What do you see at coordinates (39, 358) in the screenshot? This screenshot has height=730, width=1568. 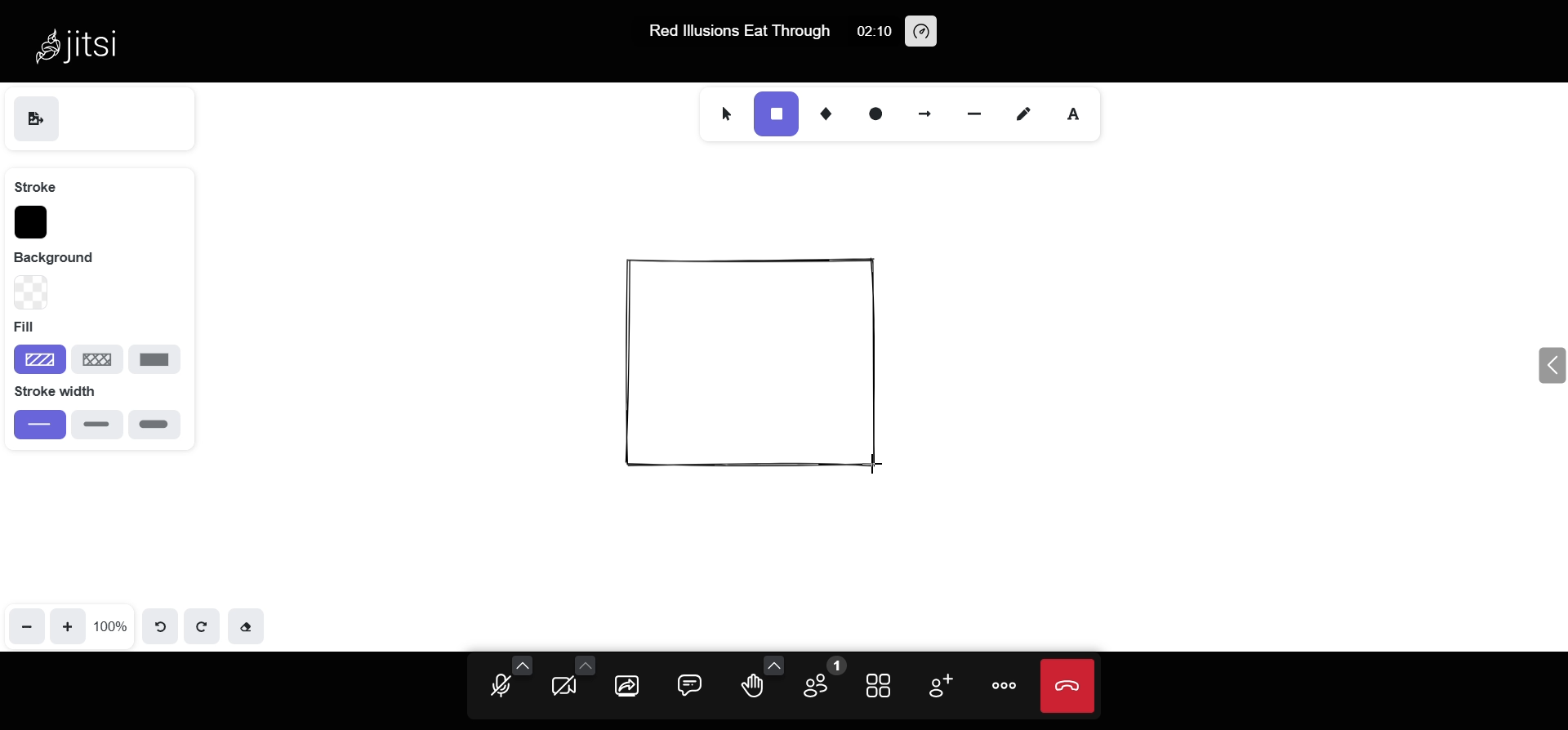 I see `hatchure` at bounding box center [39, 358].